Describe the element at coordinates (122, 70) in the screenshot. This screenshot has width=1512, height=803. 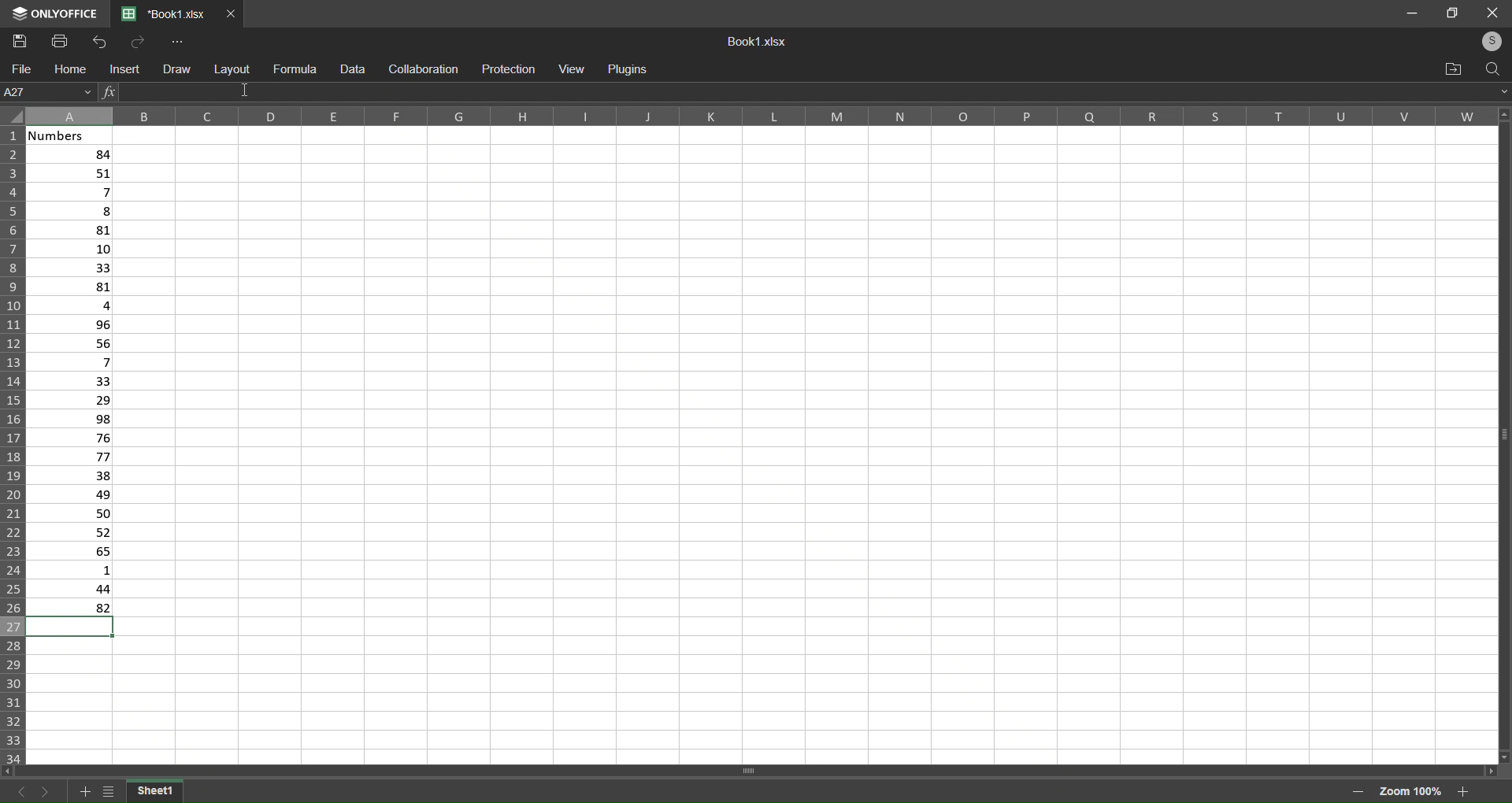
I see `insert` at that location.